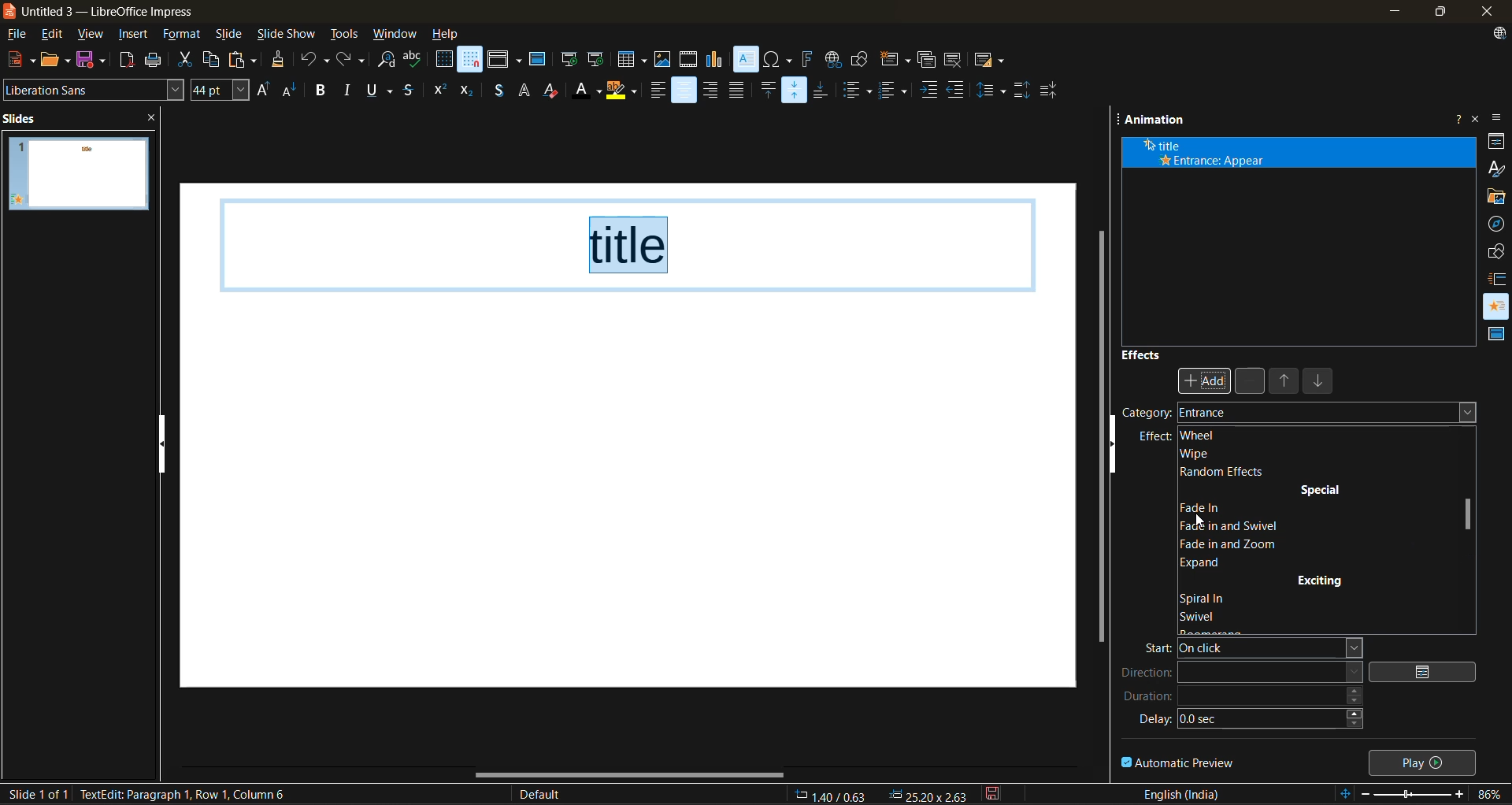  What do you see at coordinates (1213, 154) in the screenshot?
I see `animation details` at bounding box center [1213, 154].